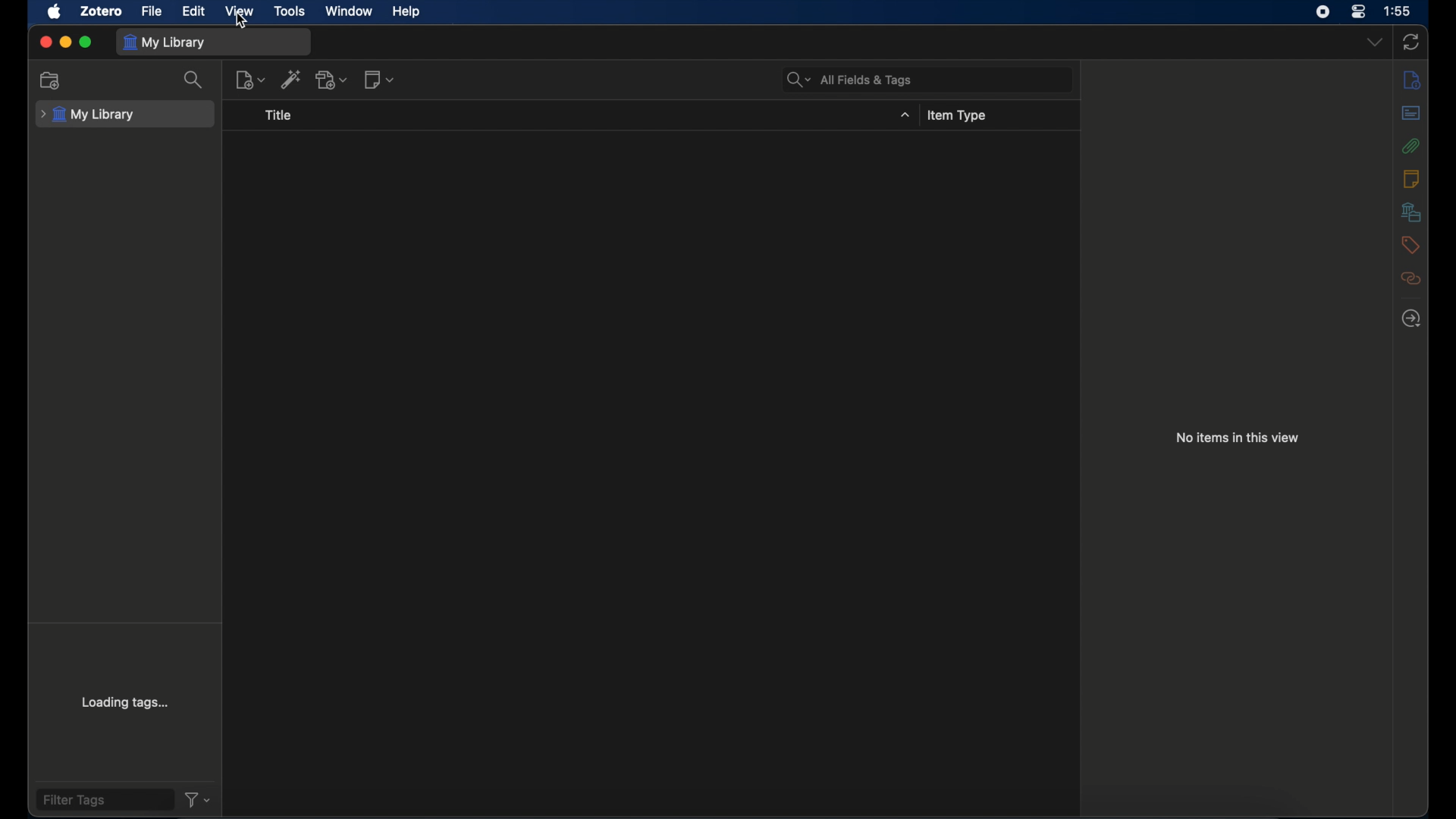 This screenshot has height=819, width=1456. What do you see at coordinates (1375, 43) in the screenshot?
I see `dropdown` at bounding box center [1375, 43].